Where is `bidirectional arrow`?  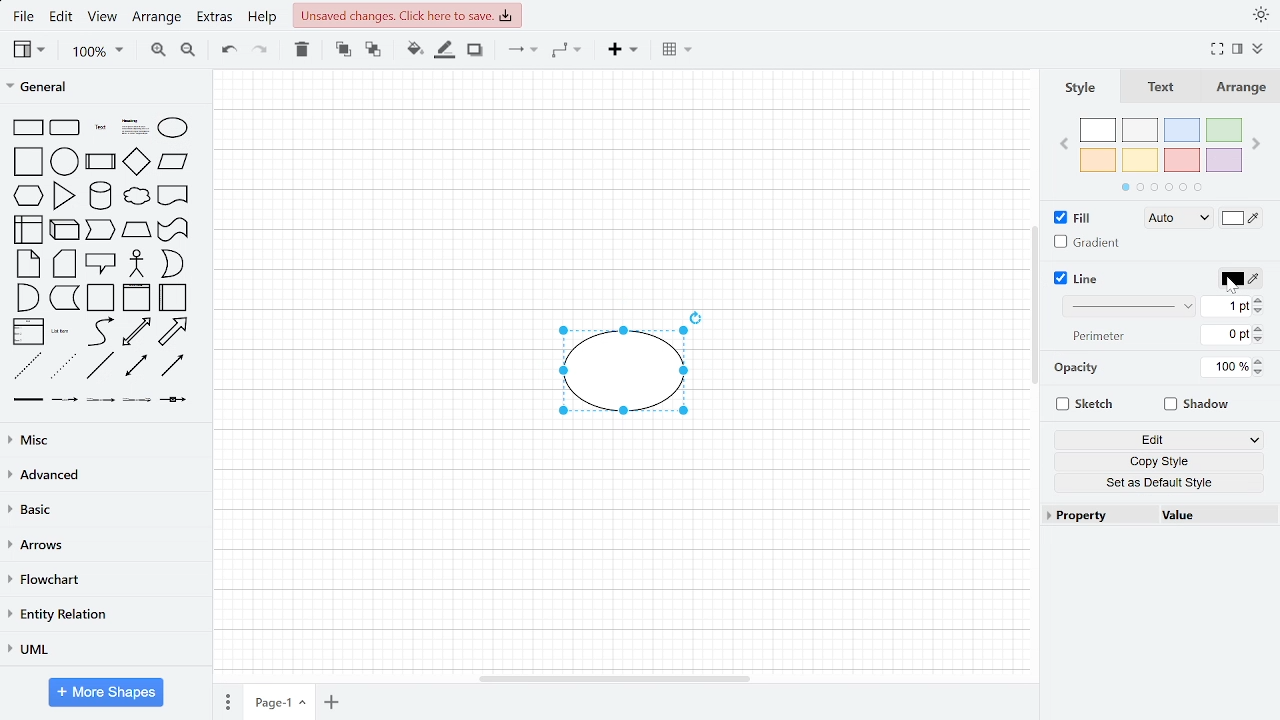
bidirectional arrow is located at coordinates (138, 333).